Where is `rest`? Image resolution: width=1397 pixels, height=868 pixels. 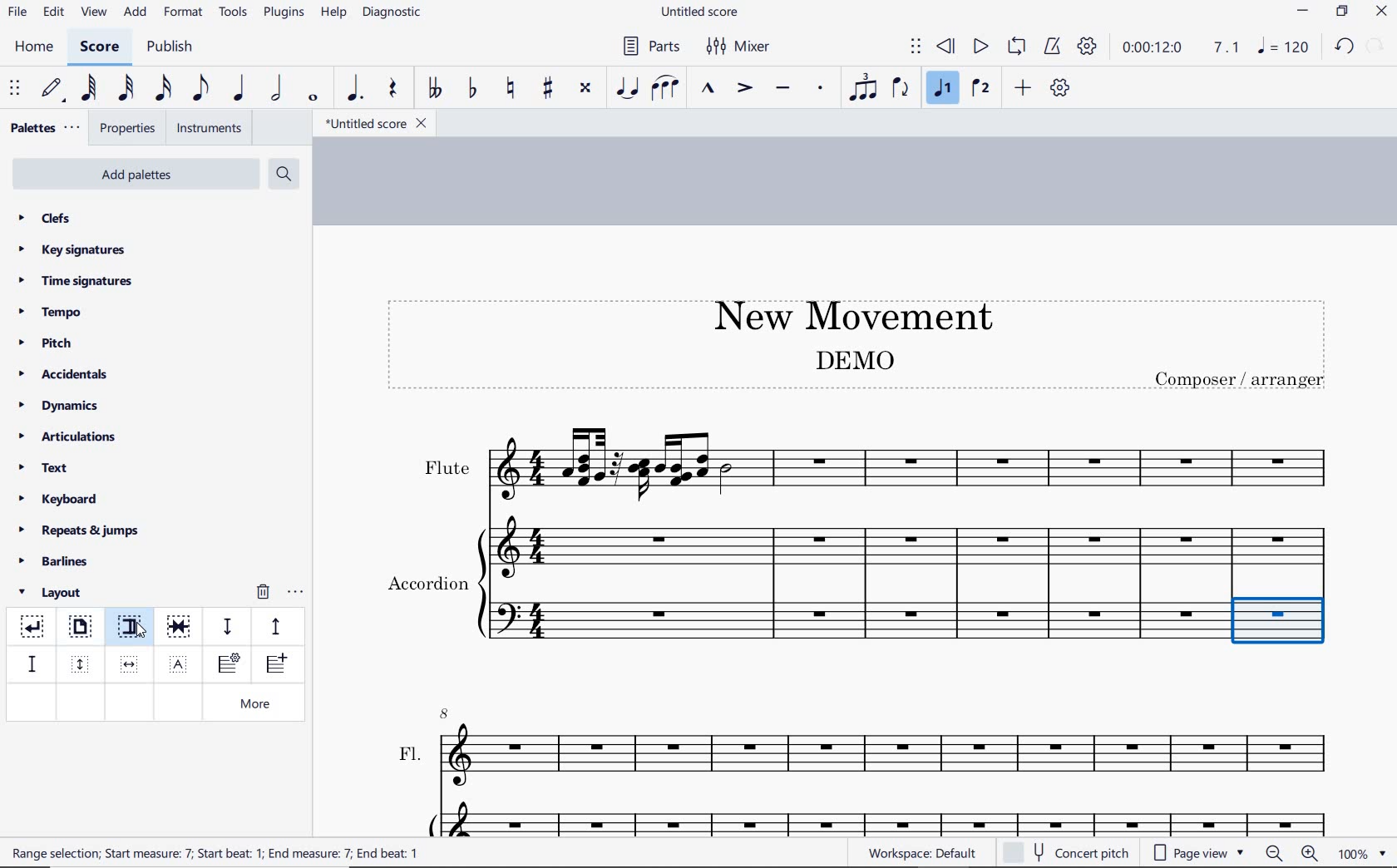
rest is located at coordinates (393, 90).